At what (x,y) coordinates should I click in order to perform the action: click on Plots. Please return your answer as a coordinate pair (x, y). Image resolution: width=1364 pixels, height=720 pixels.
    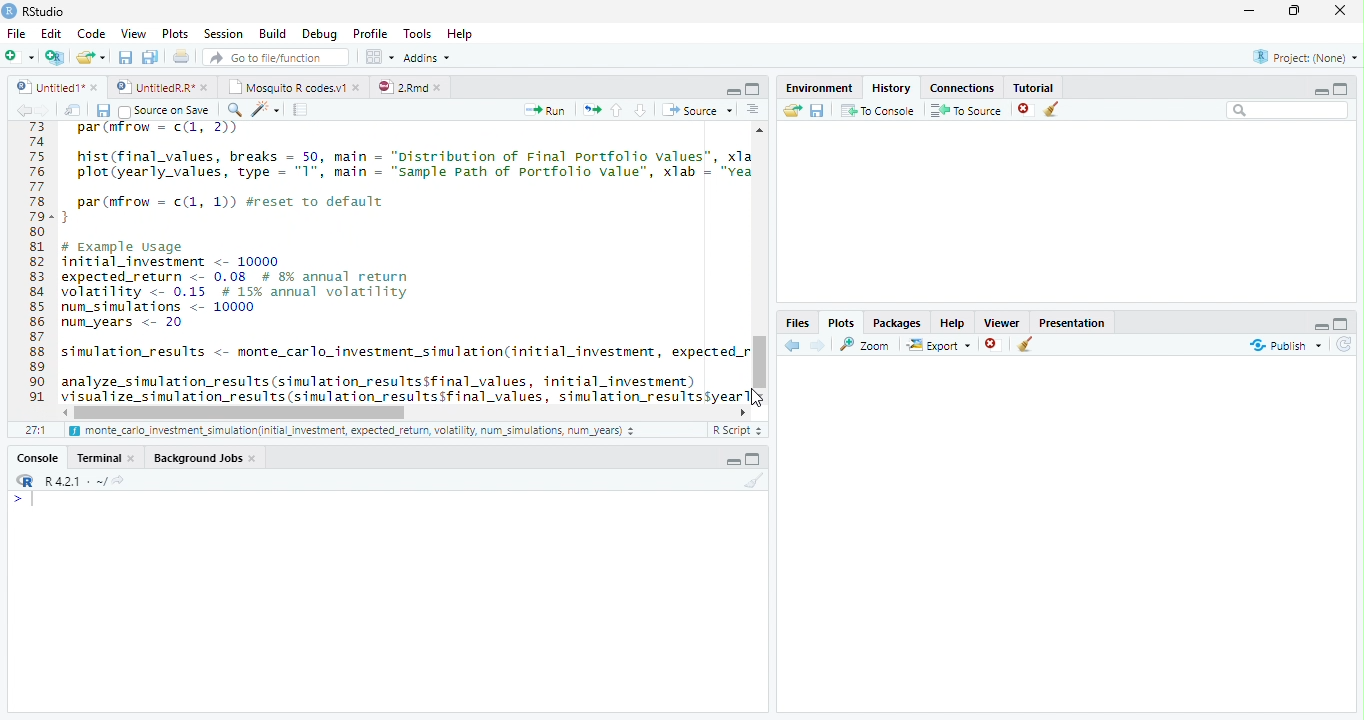
    Looking at the image, I should click on (174, 34).